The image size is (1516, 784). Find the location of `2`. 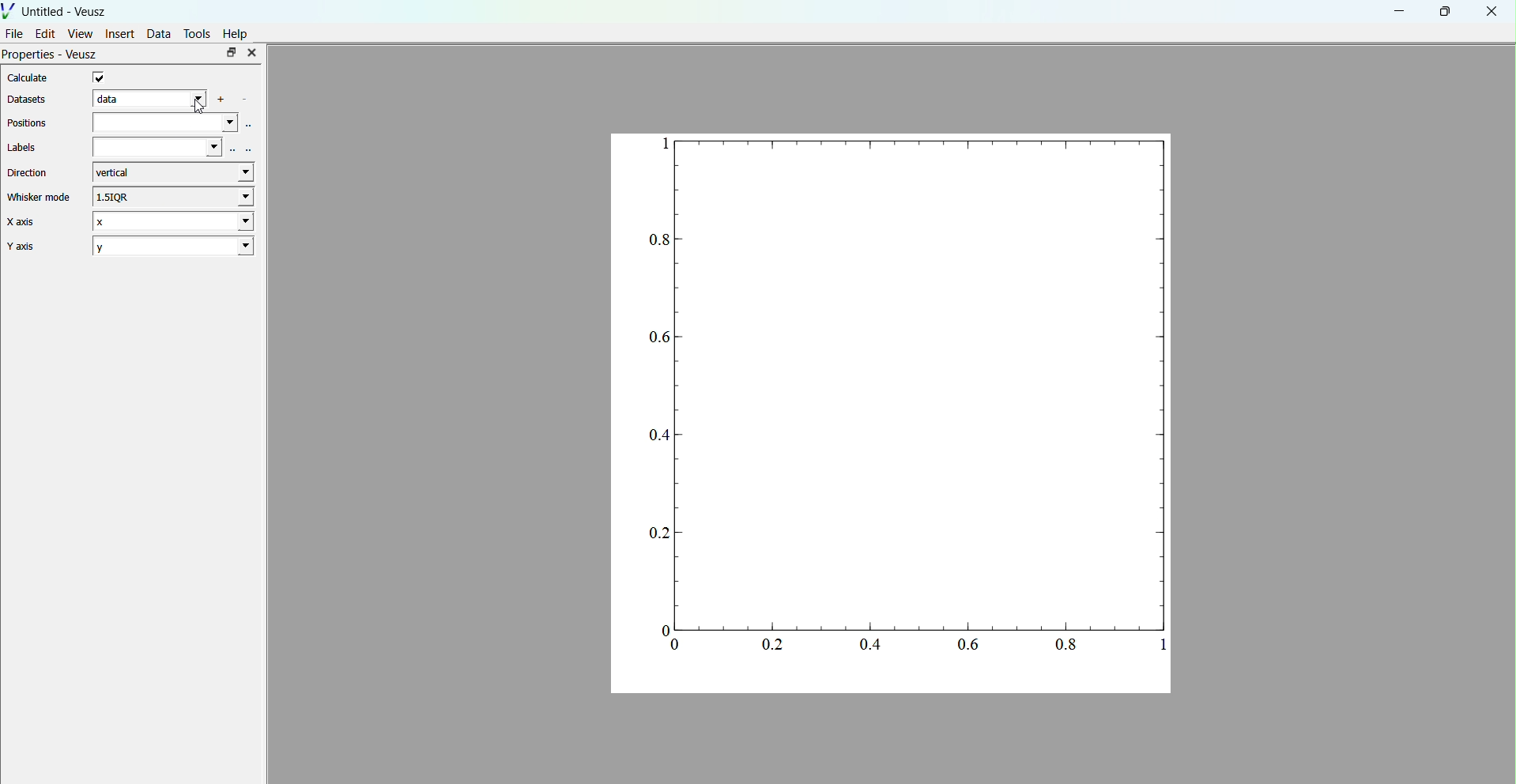

2 is located at coordinates (172, 246).